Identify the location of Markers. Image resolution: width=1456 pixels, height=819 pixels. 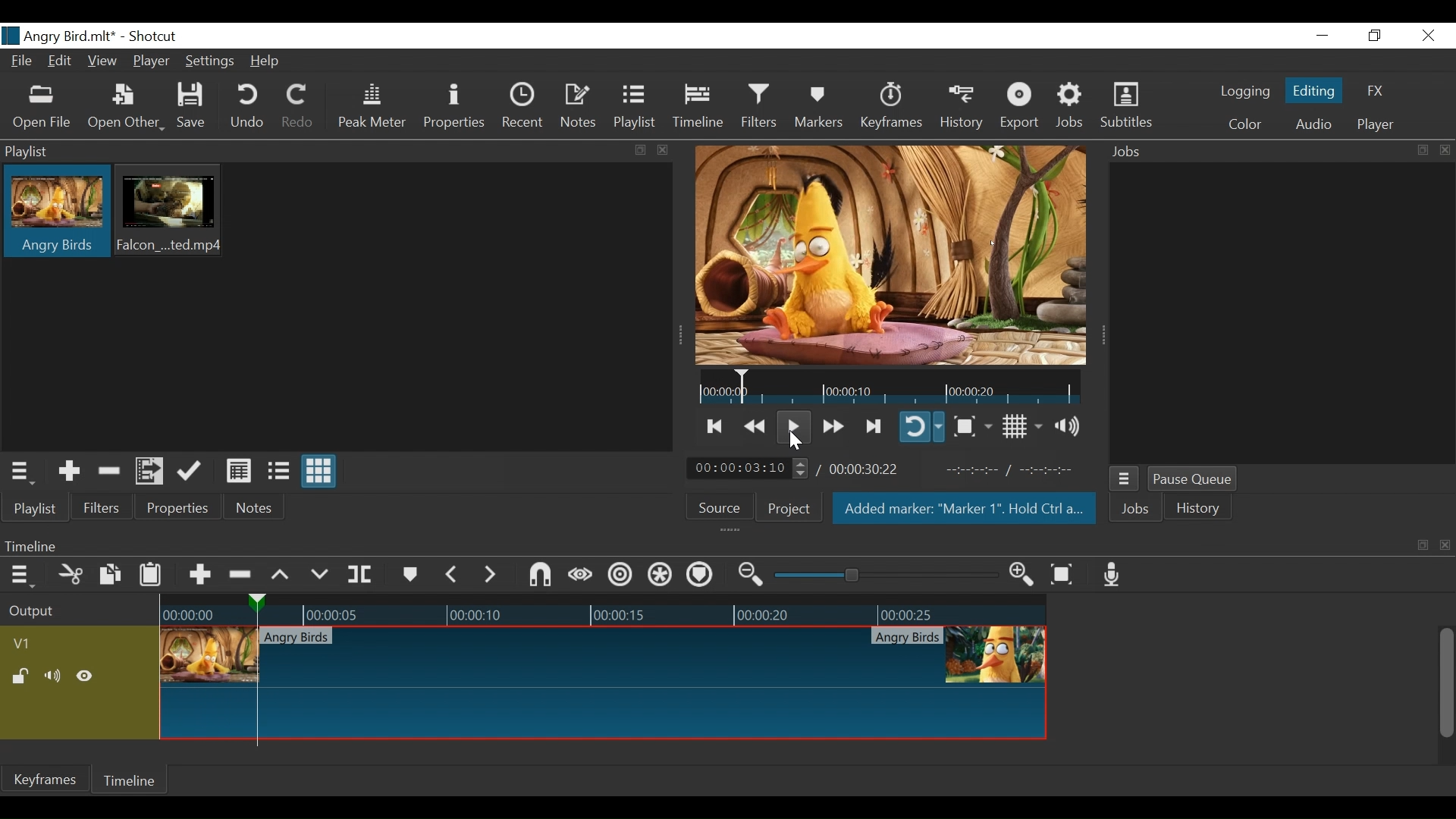
(817, 108).